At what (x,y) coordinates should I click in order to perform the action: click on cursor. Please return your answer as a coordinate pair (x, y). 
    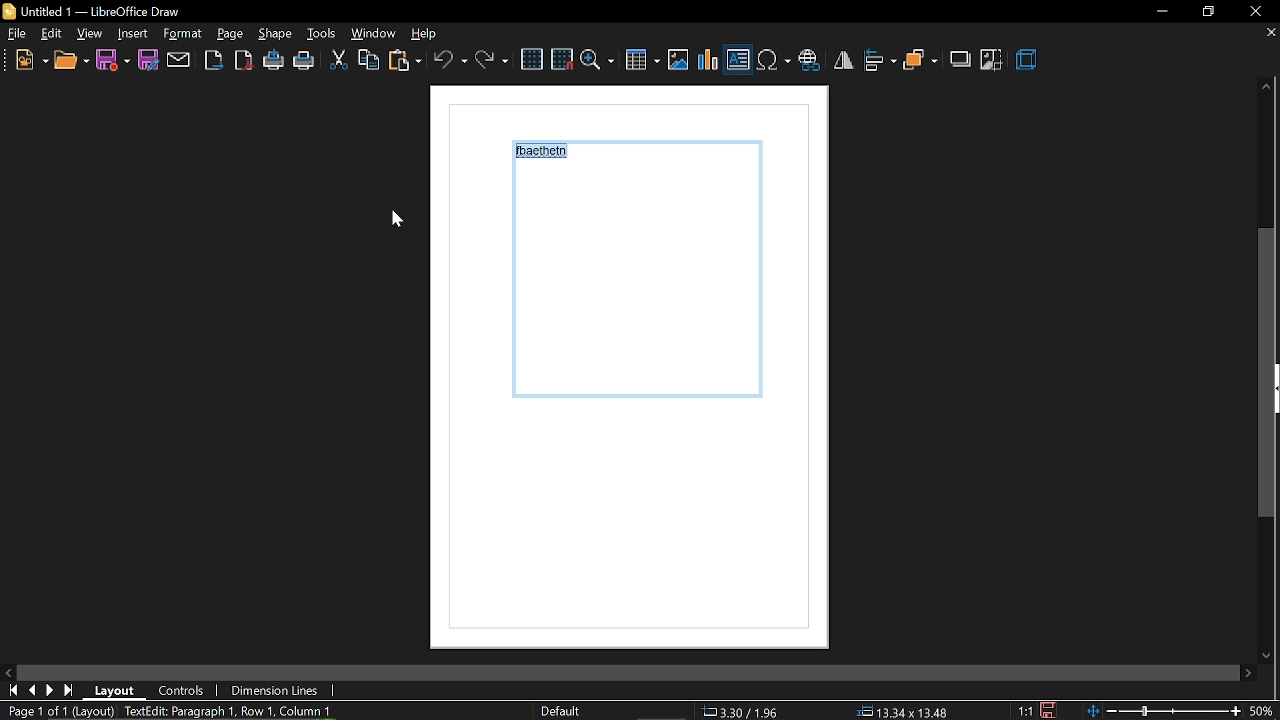
    Looking at the image, I should click on (398, 217).